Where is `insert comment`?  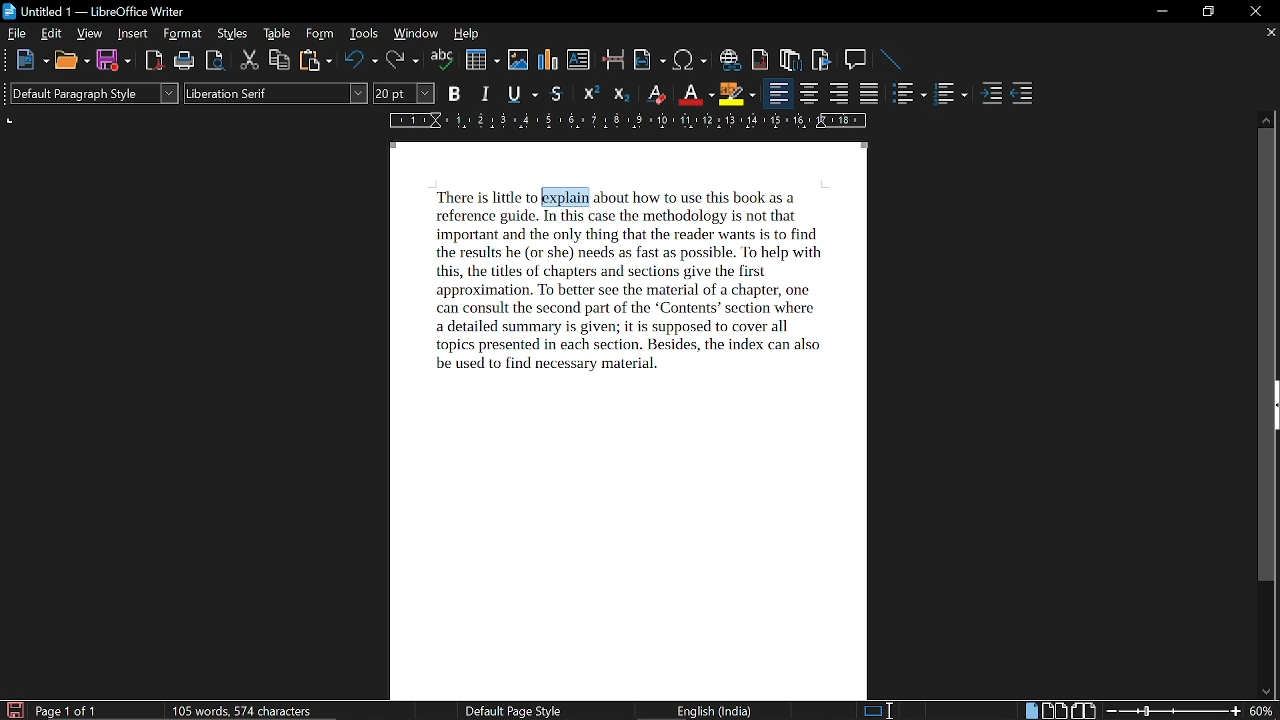 insert comment is located at coordinates (856, 59).